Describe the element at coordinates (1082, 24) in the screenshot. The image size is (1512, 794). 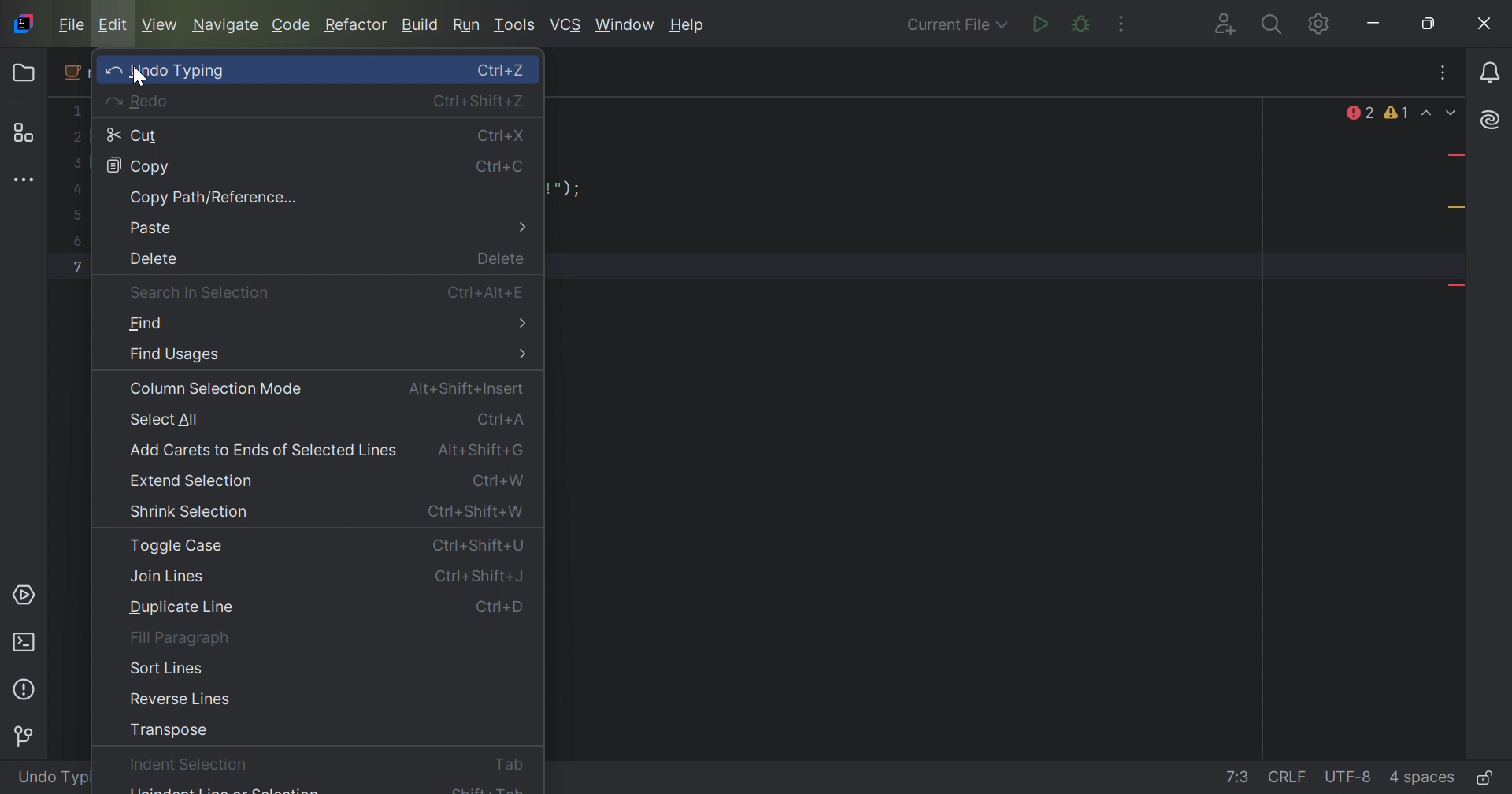
I see `Debug` at that location.